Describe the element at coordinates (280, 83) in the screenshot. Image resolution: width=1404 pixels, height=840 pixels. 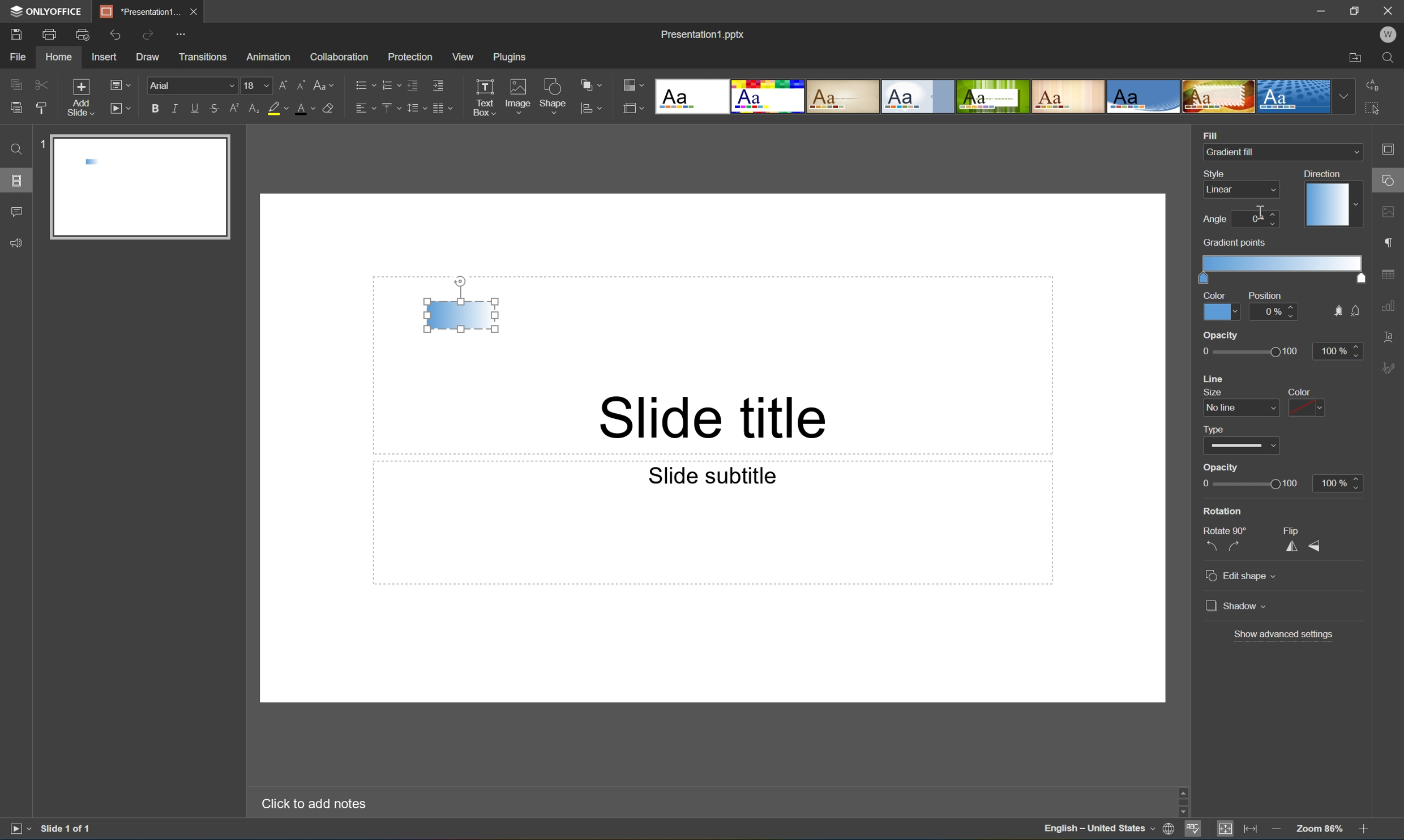
I see `Increment font size` at that location.